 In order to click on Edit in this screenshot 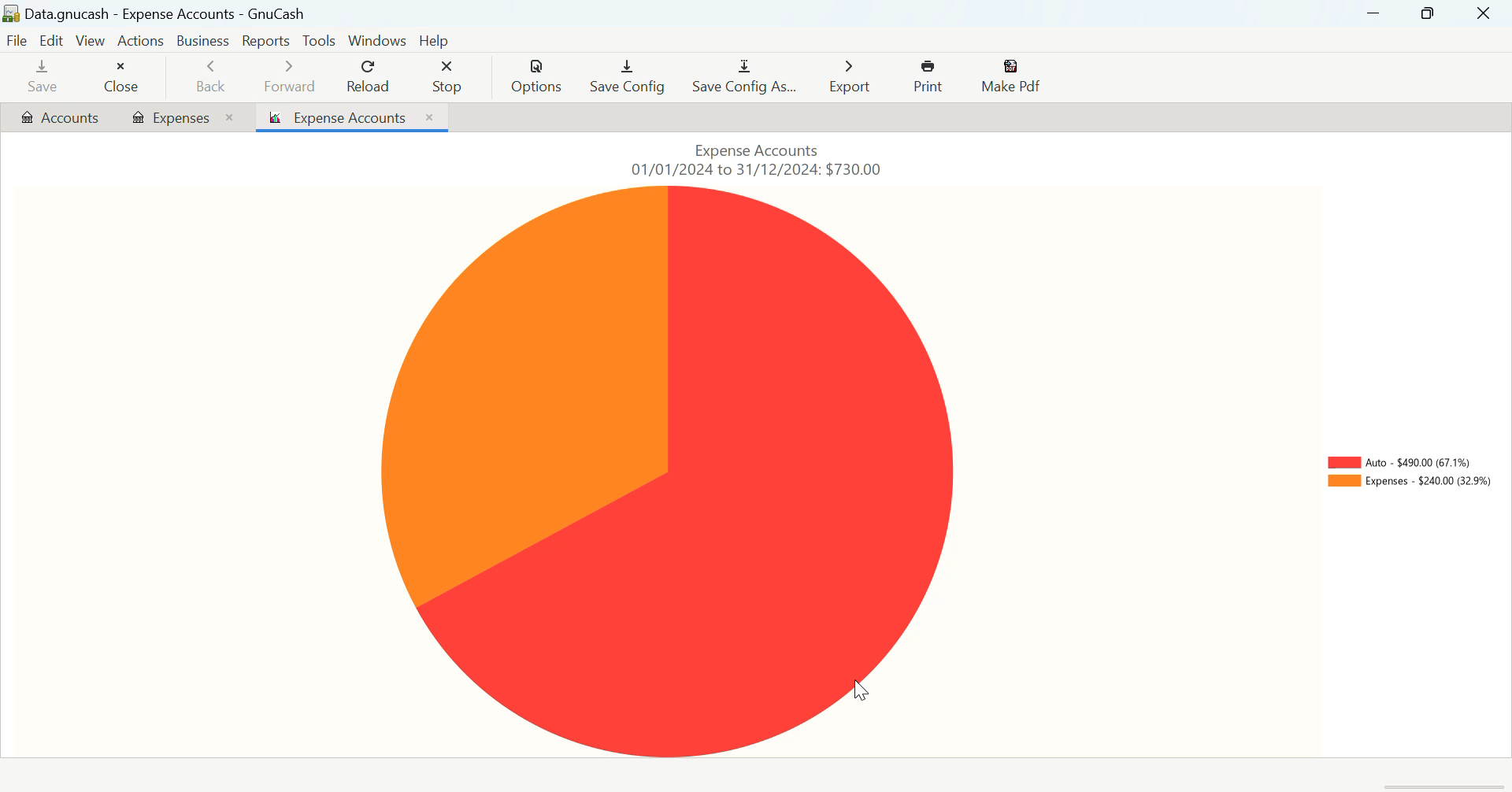, I will do `click(53, 39)`.